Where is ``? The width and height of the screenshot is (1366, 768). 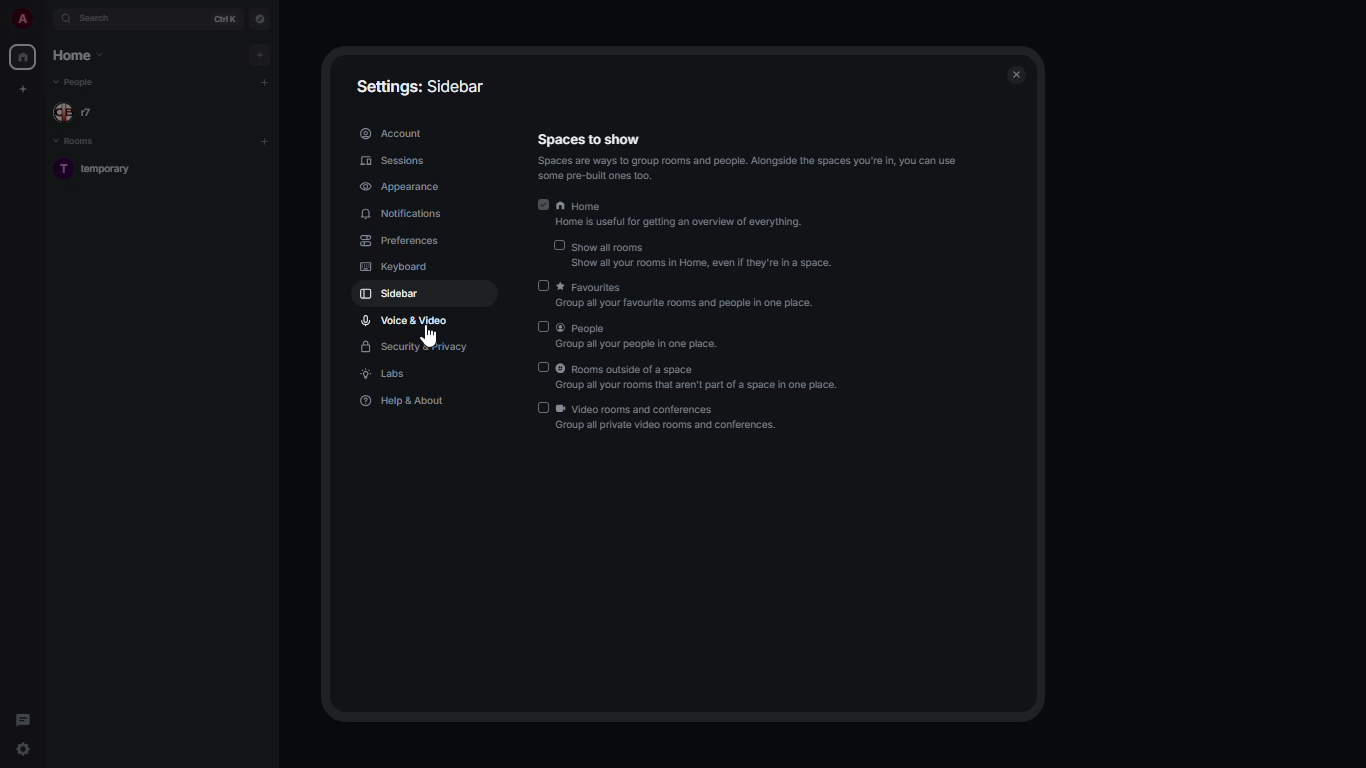
 is located at coordinates (544, 285).